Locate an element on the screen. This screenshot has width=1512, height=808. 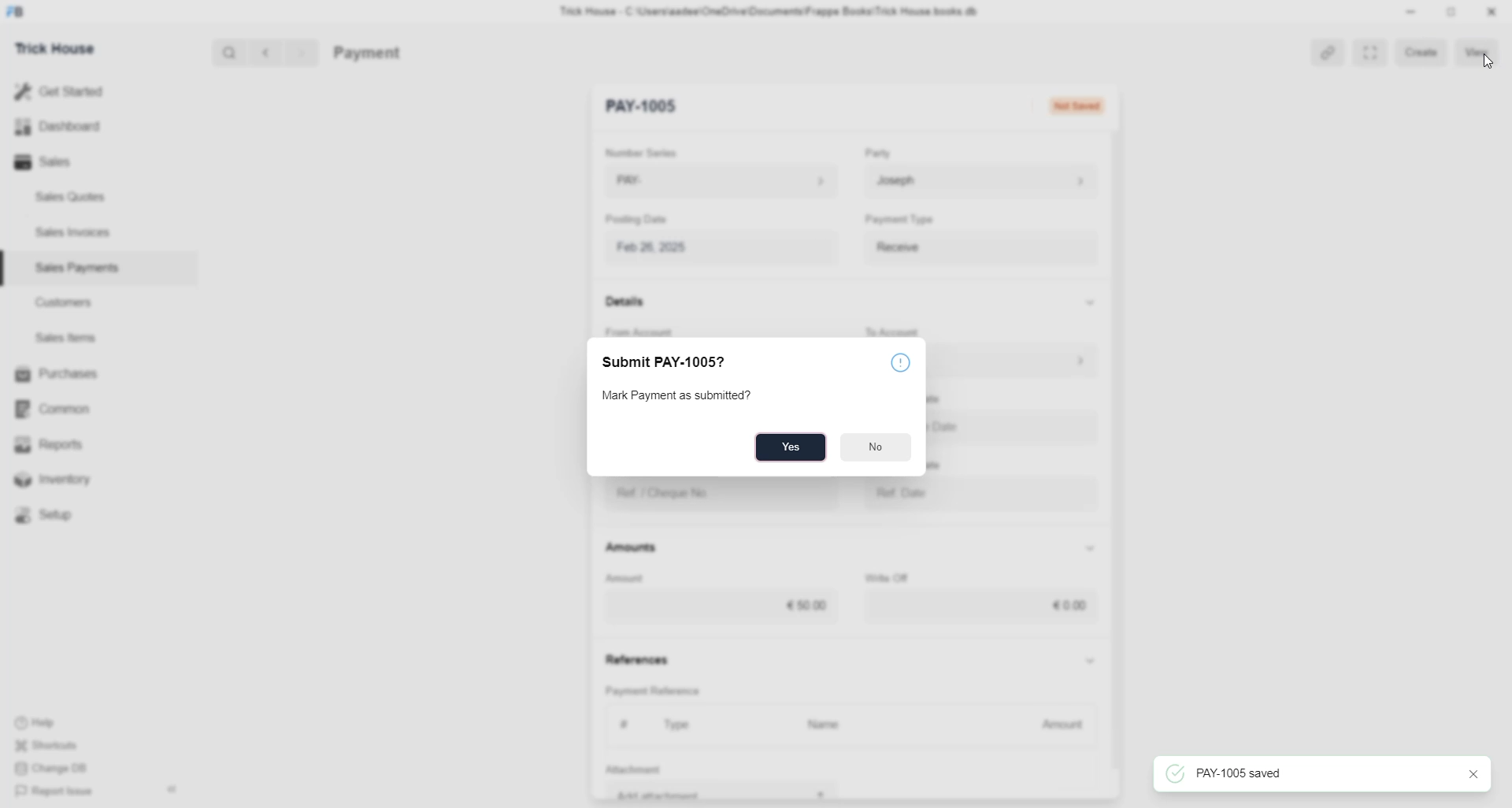
Inventory is located at coordinates (71, 478).